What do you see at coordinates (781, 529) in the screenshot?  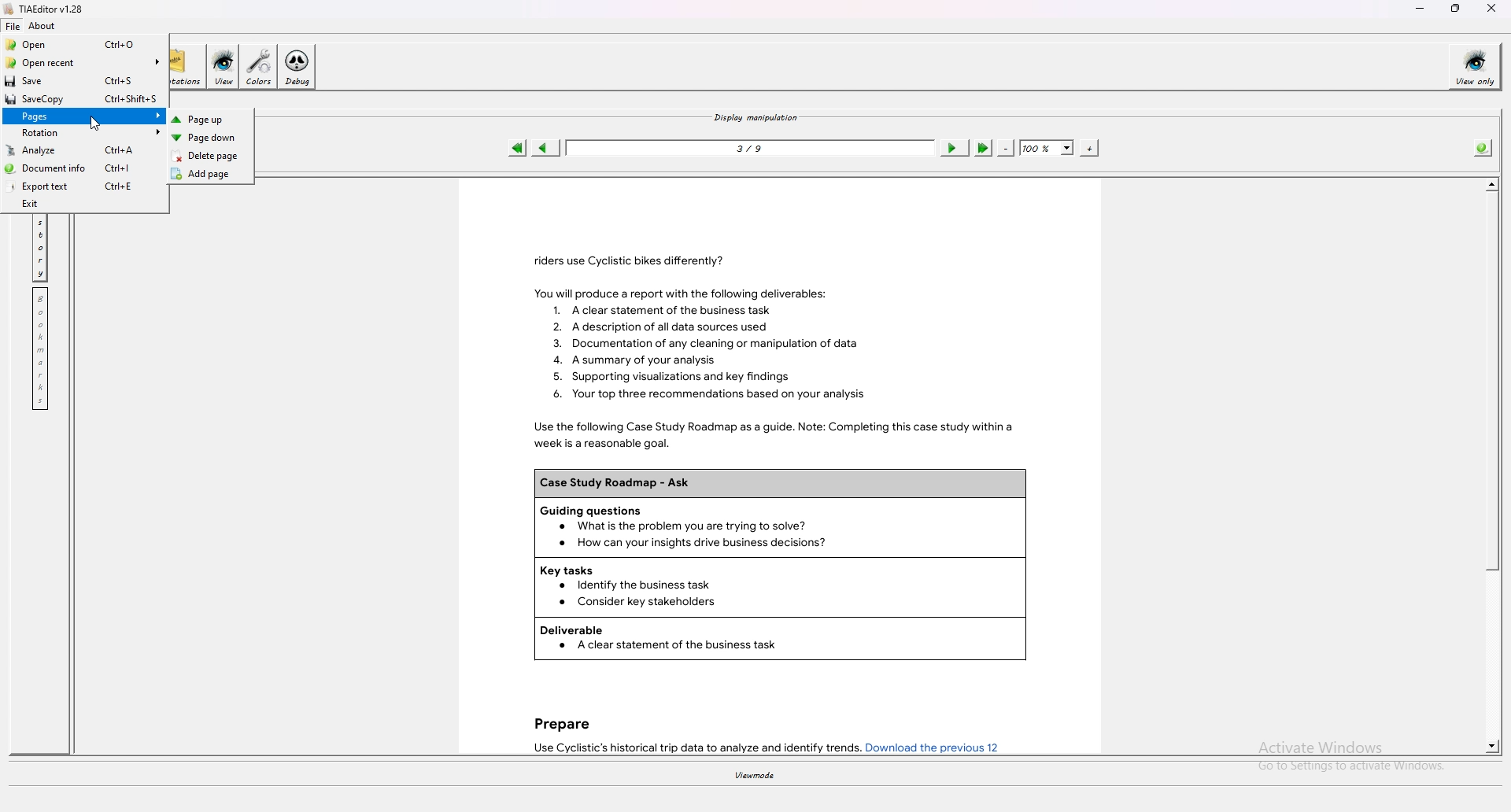 I see `Guiding questions What is the problem you are trying to solve?How can your insights drive business decisions?` at bounding box center [781, 529].